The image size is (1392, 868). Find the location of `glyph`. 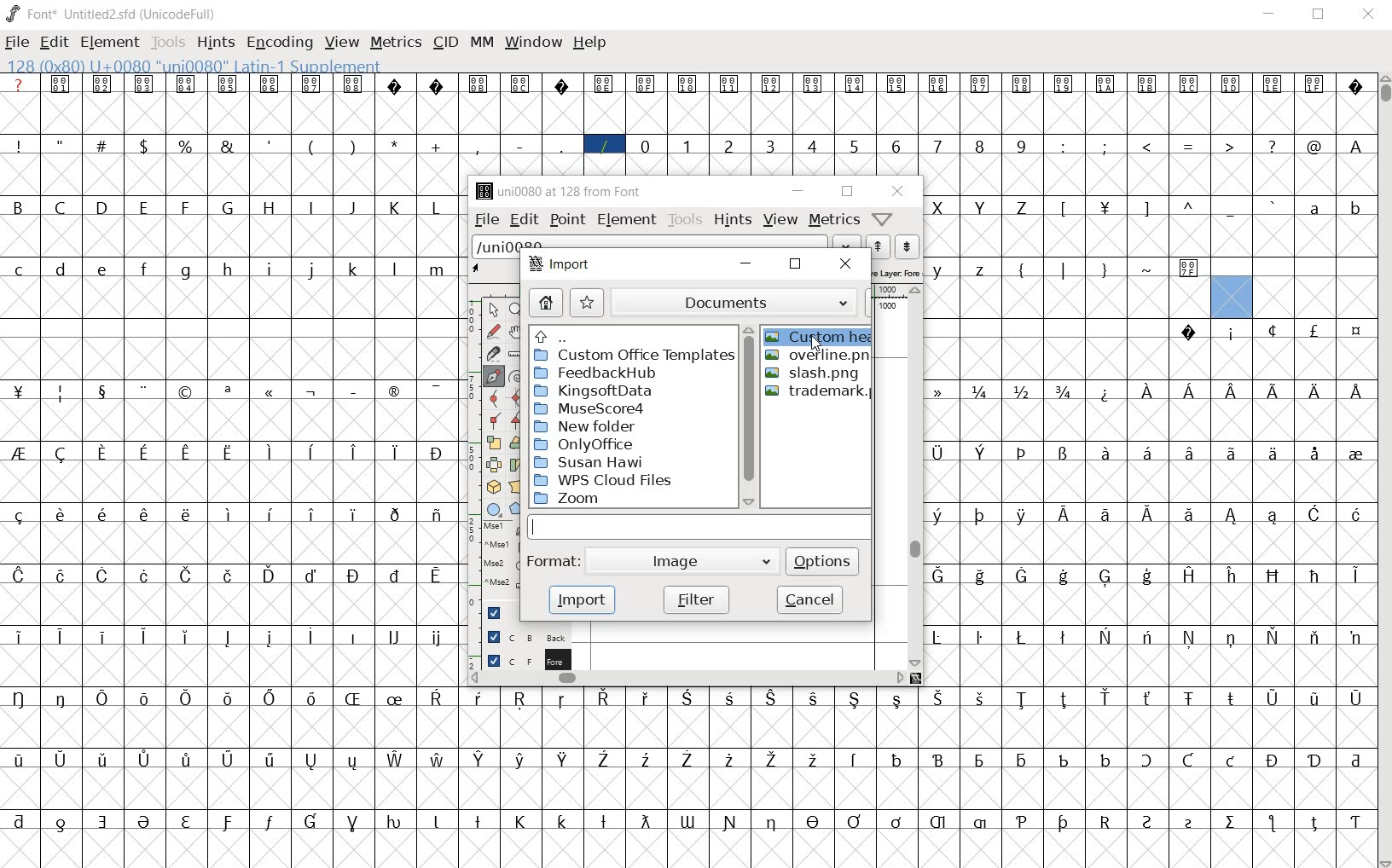

glyph is located at coordinates (437, 86).